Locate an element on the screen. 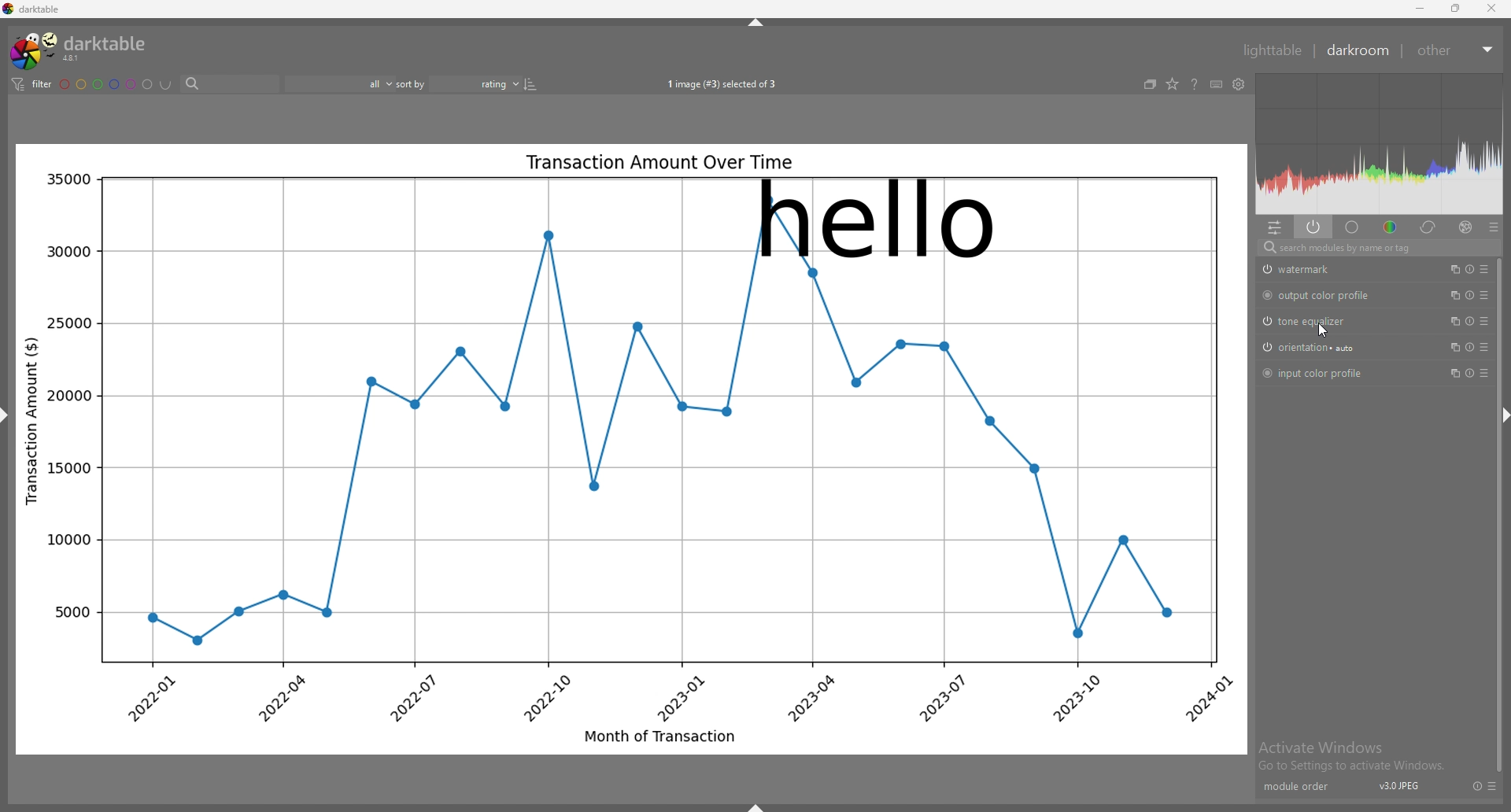  search modules is located at coordinates (1377, 248).